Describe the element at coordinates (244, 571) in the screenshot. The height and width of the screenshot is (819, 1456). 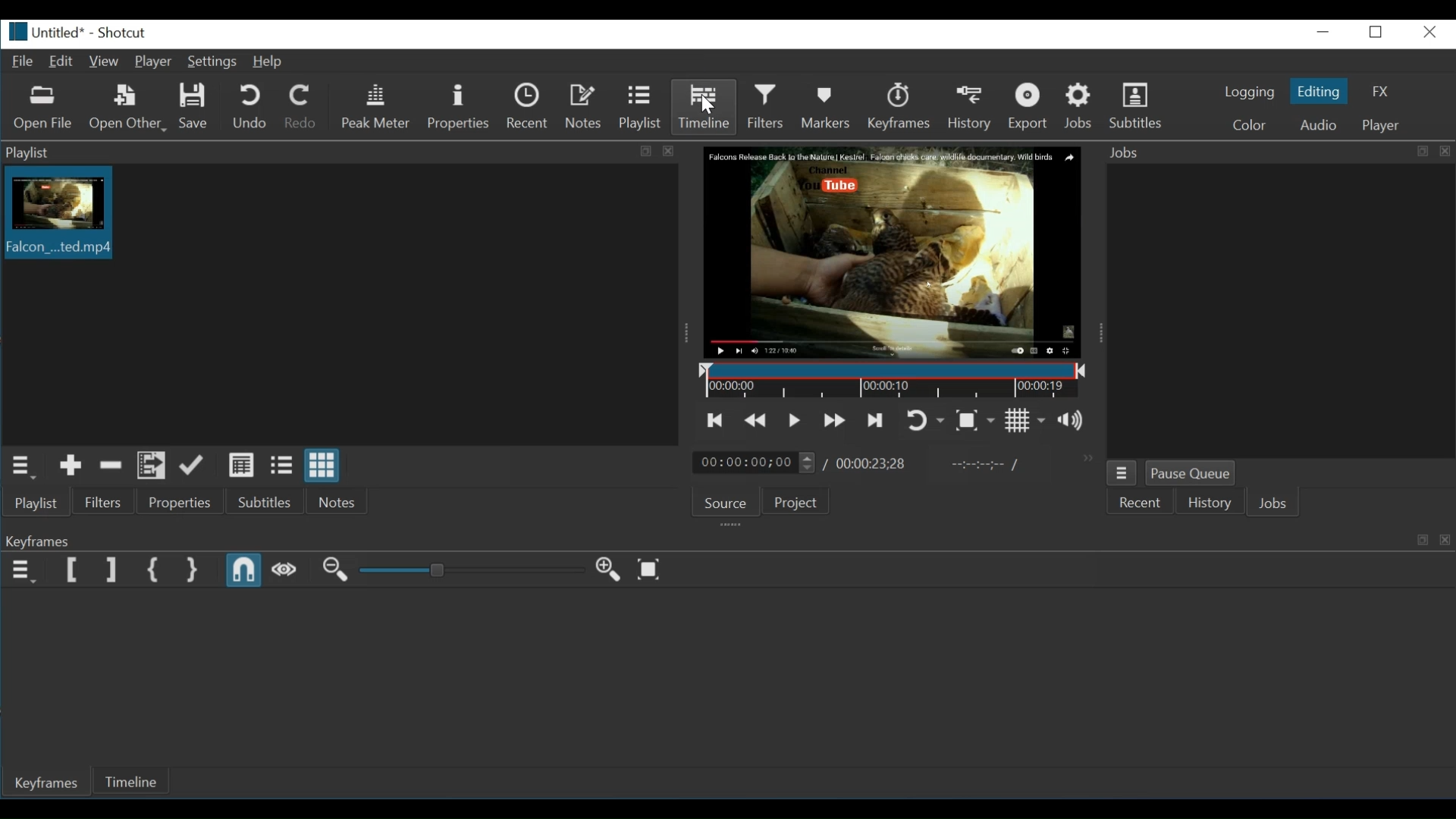
I see `Snap` at that location.